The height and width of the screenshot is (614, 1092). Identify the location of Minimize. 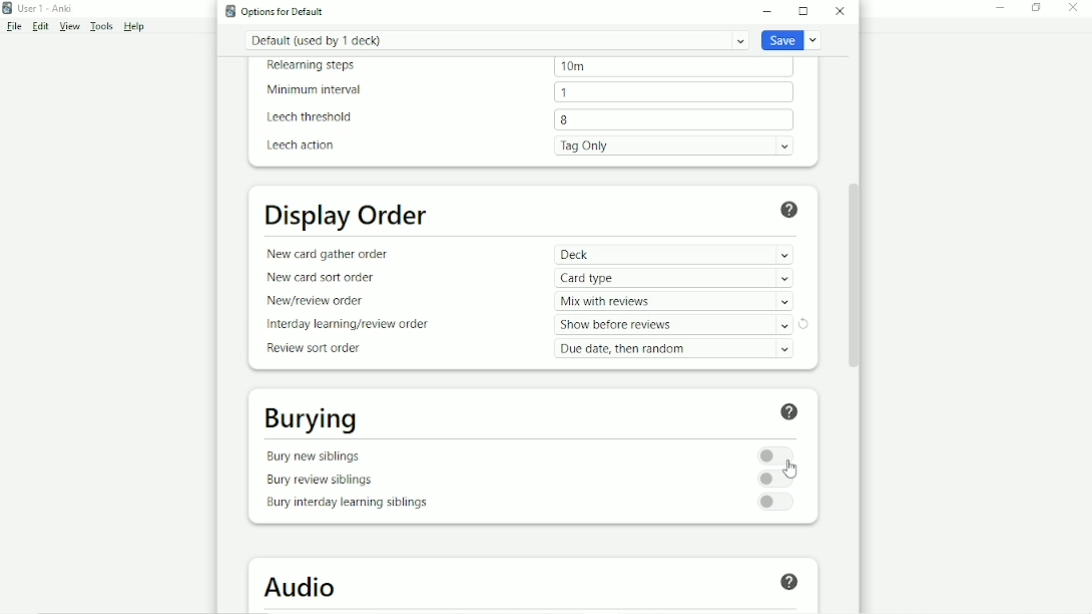
(1002, 9).